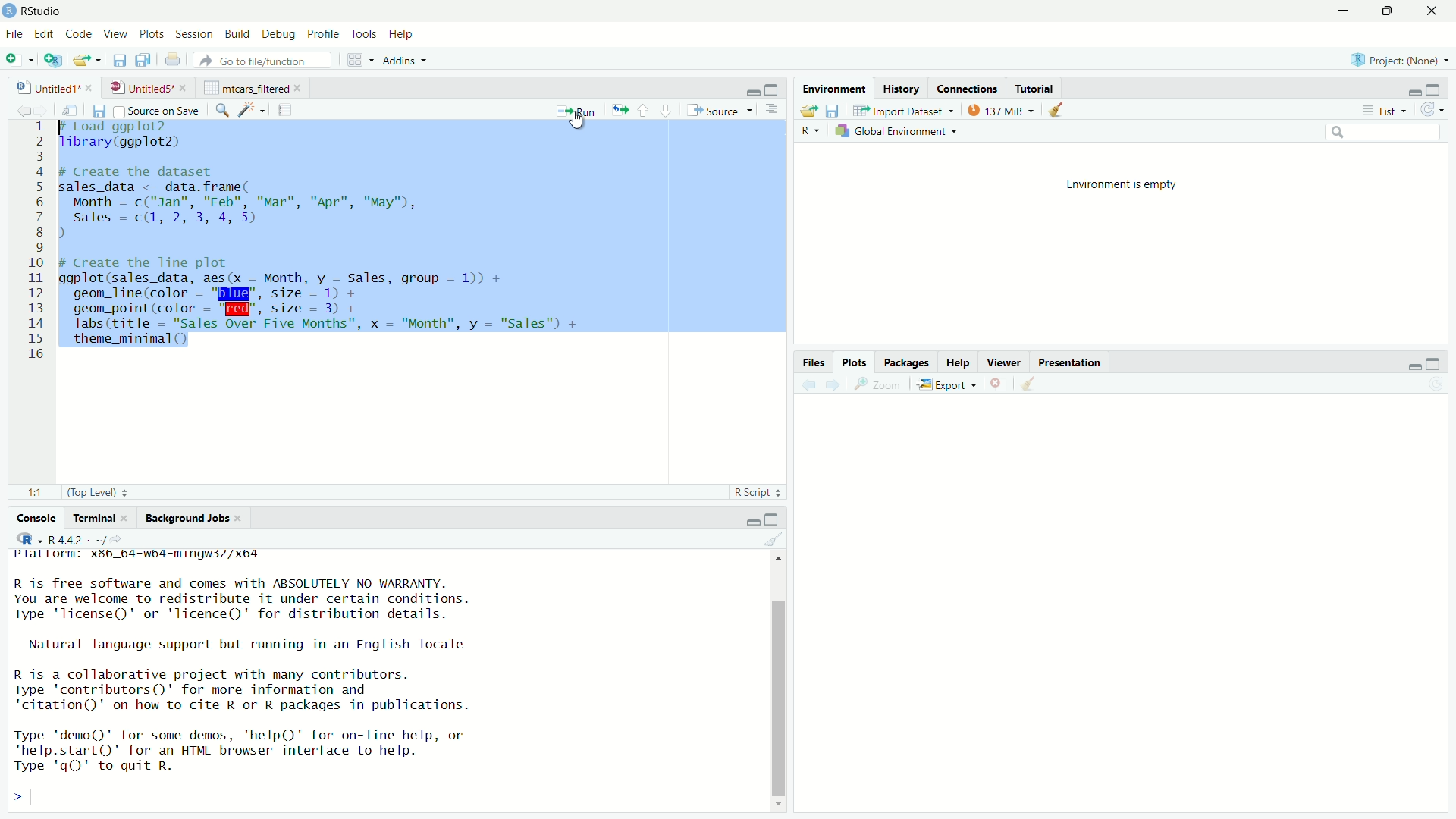  Describe the element at coordinates (81, 34) in the screenshot. I see `code` at that location.